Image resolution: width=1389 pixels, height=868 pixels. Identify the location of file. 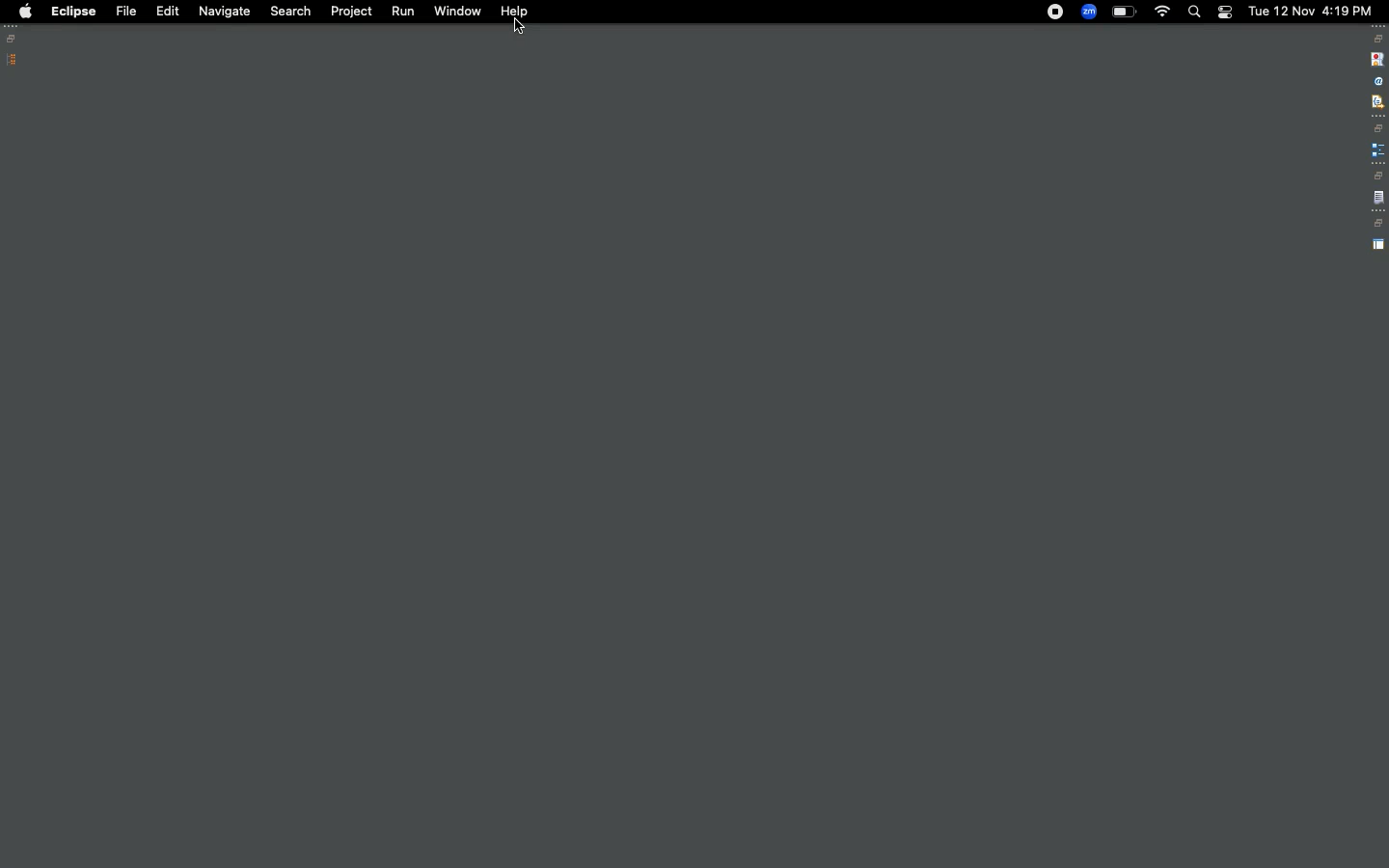
(1378, 199).